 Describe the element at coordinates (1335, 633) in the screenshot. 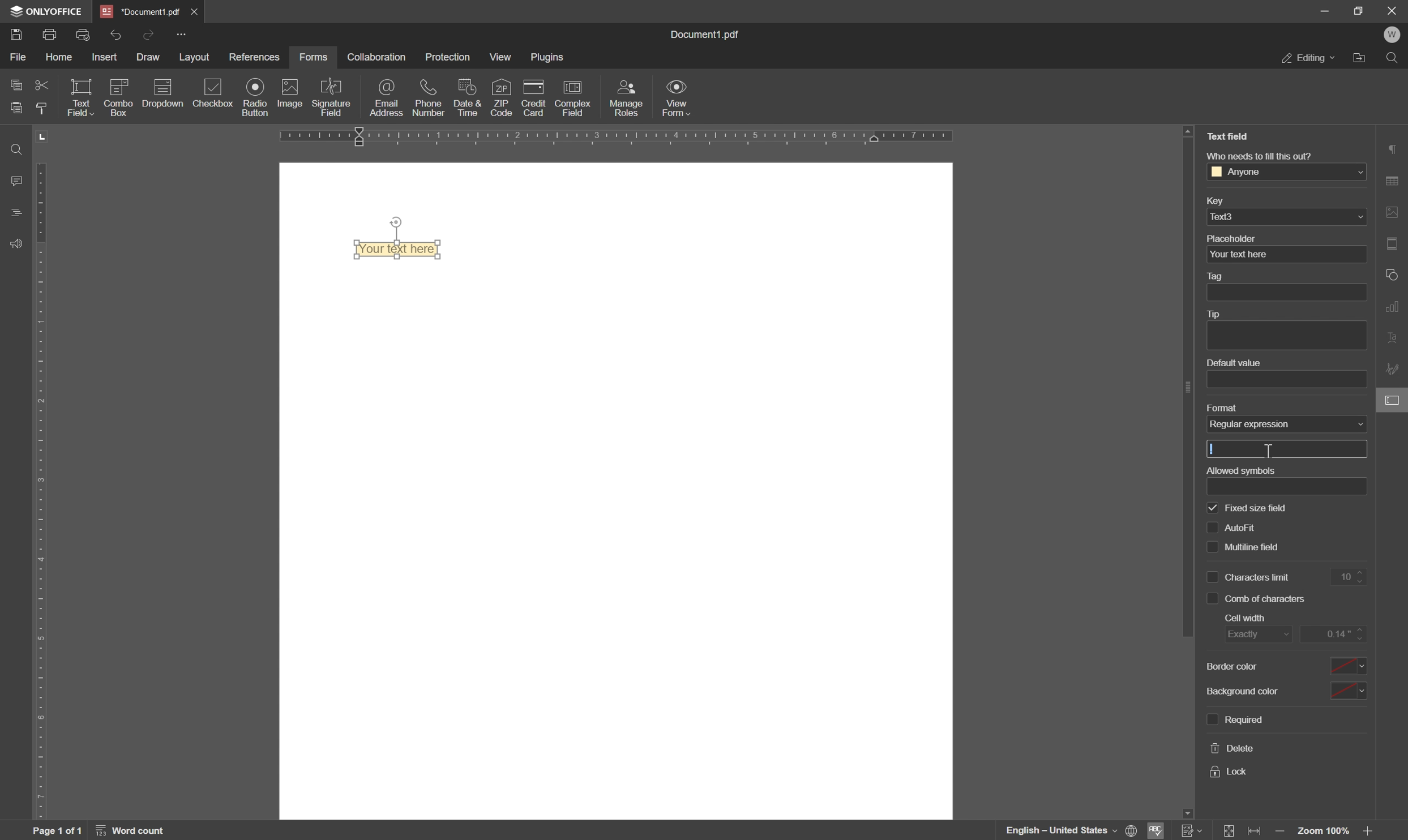

I see `0.14` at that location.